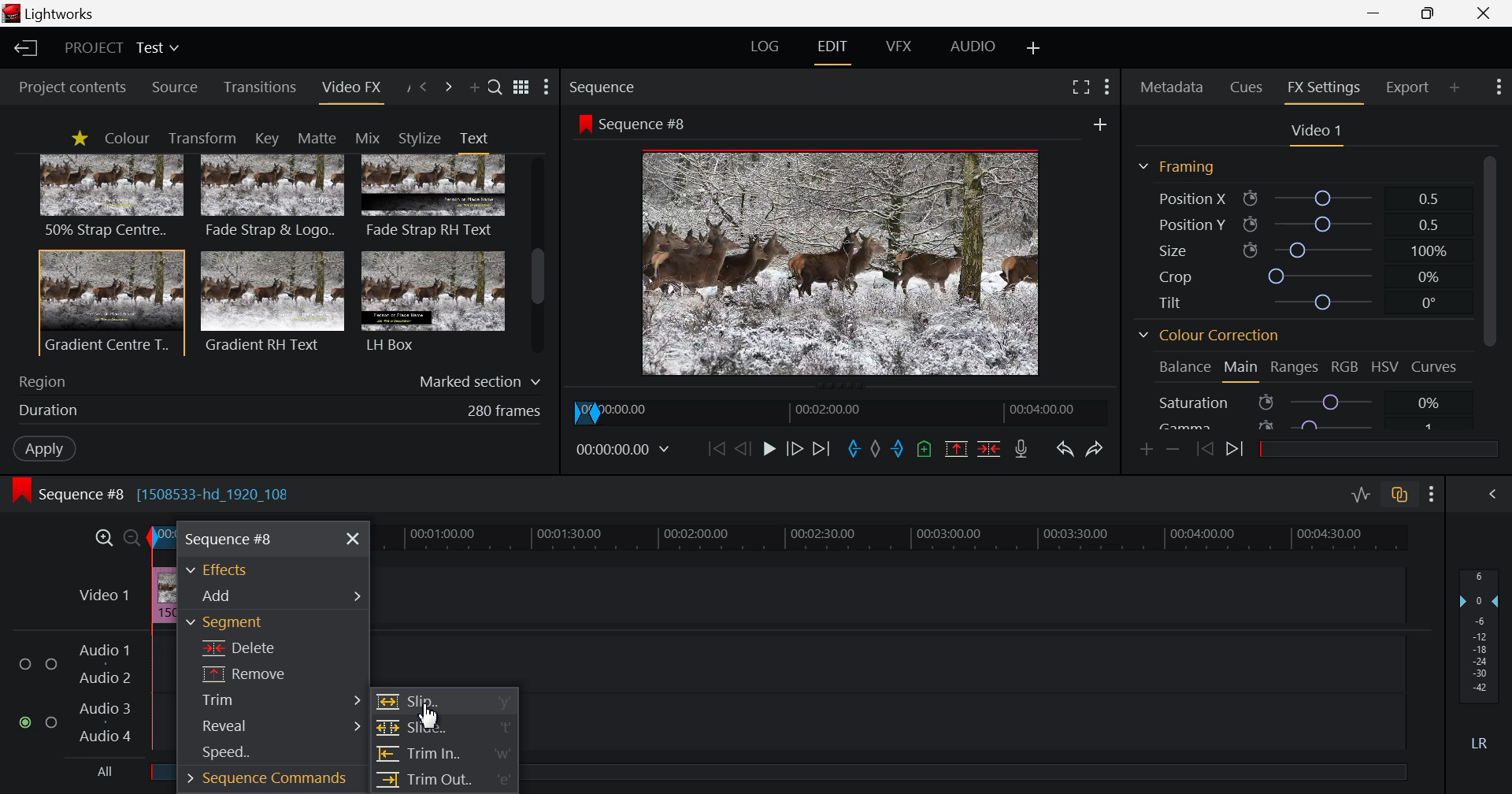  I want to click on All, so click(94, 774).